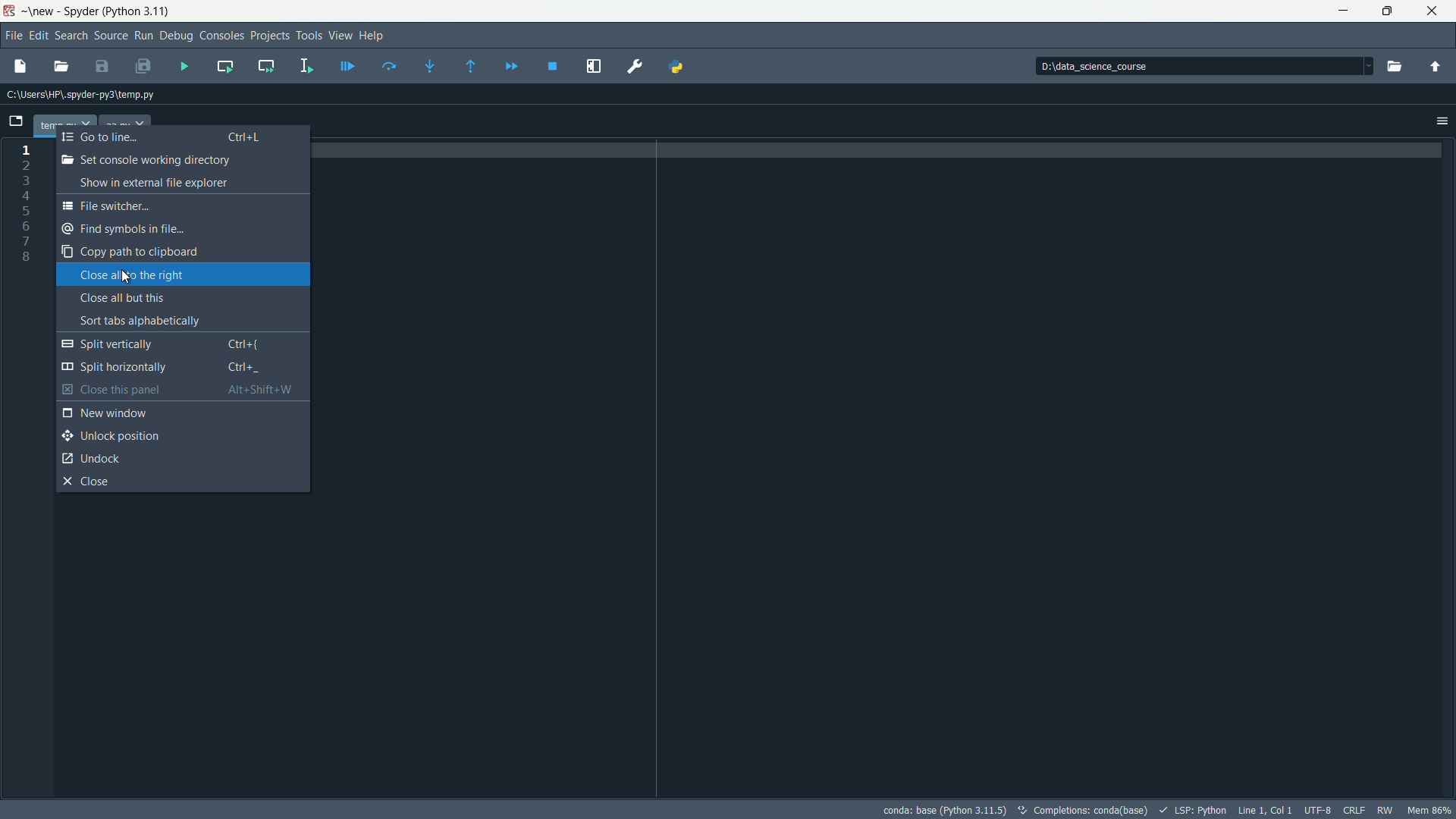 Image resolution: width=1456 pixels, height=819 pixels. Describe the element at coordinates (176, 36) in the screenshot. I see `debug menu` at that location.